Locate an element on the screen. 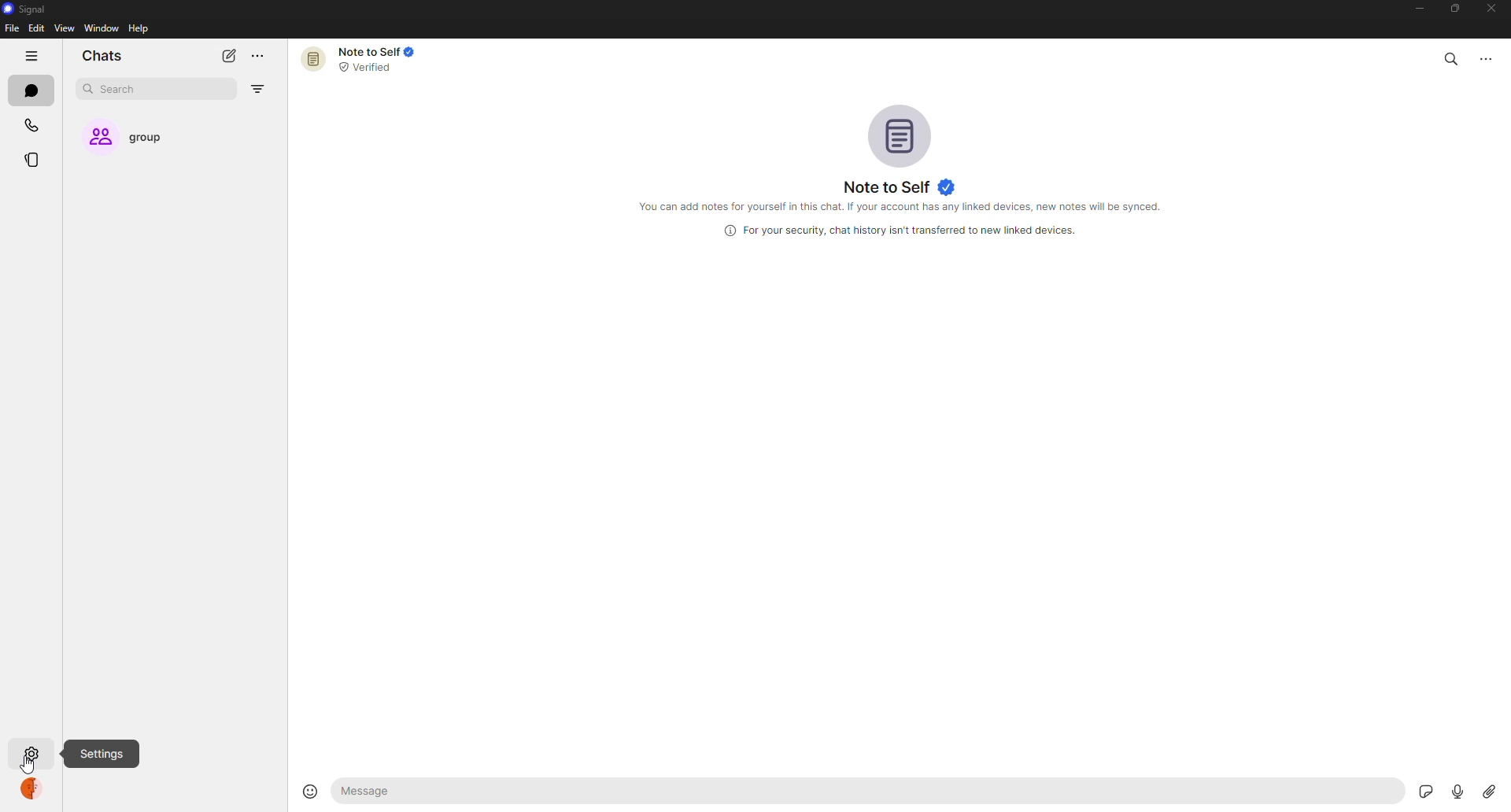 The image size is (1511, 812). search is located at coordinates (123, 90).